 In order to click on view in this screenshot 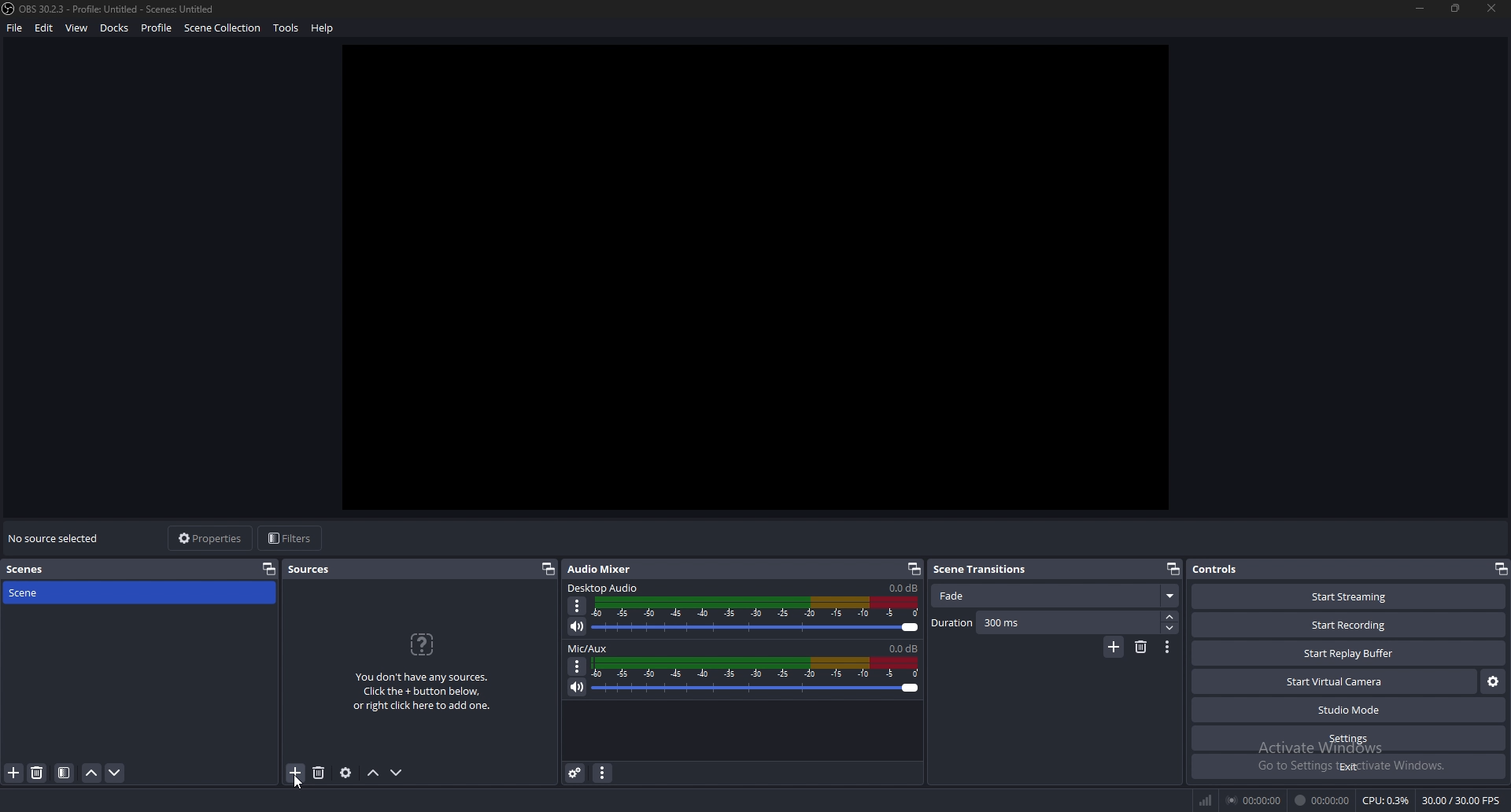, I will do `click(77, 28)`.